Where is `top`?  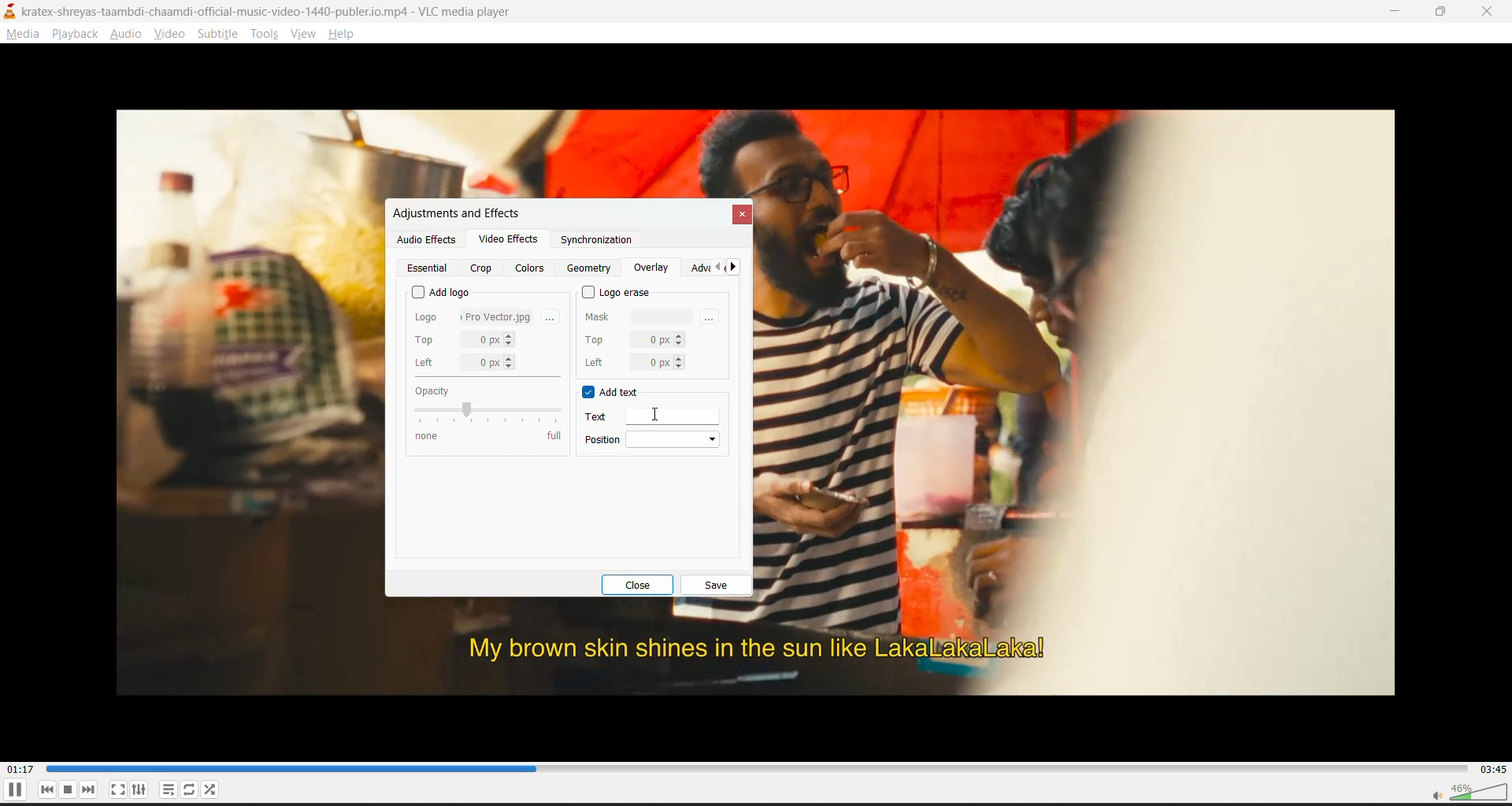 top is located at coordinates (634, 338).